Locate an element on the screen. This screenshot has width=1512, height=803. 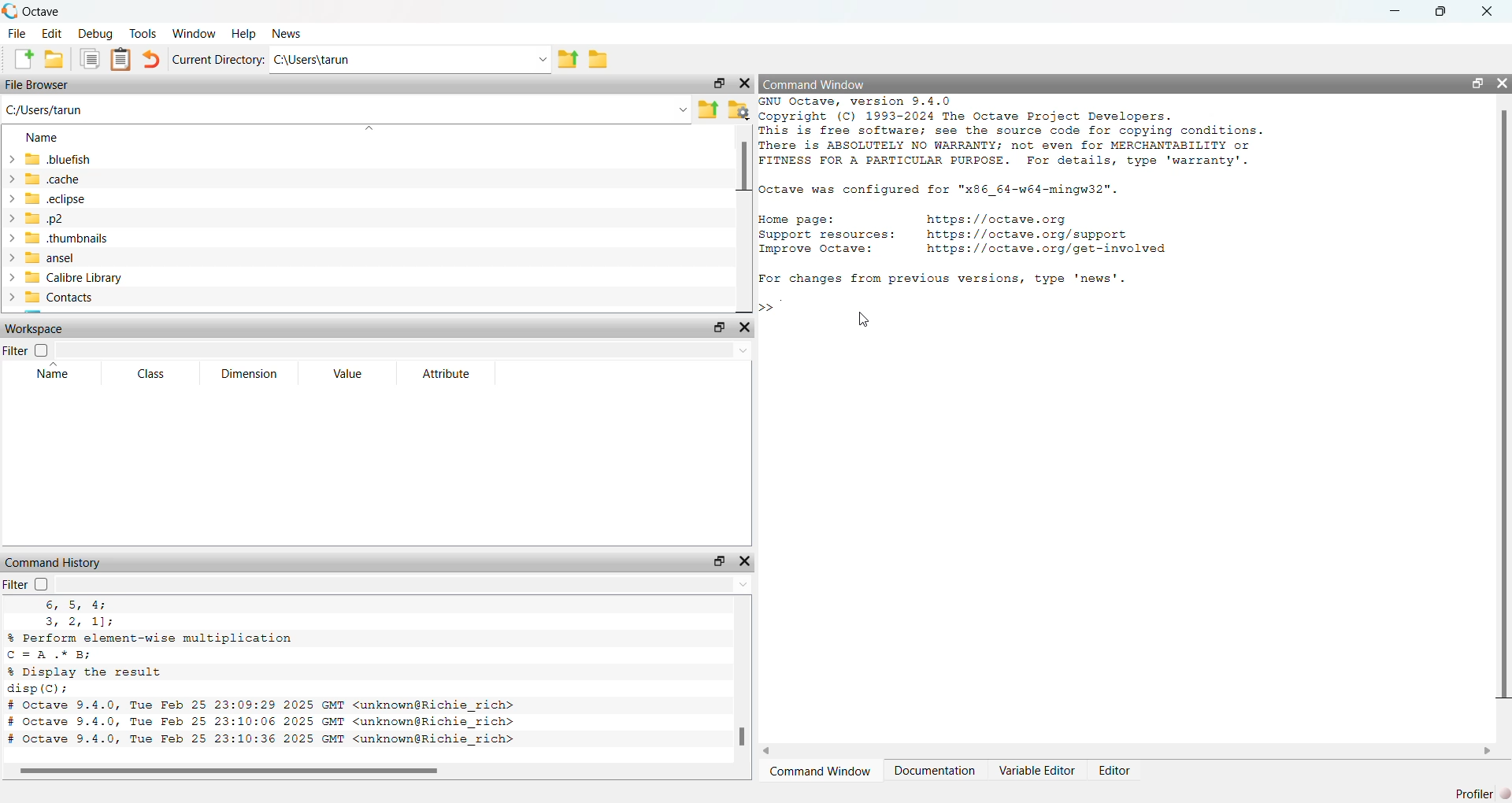
Octave is located at coordinates (31, 12).